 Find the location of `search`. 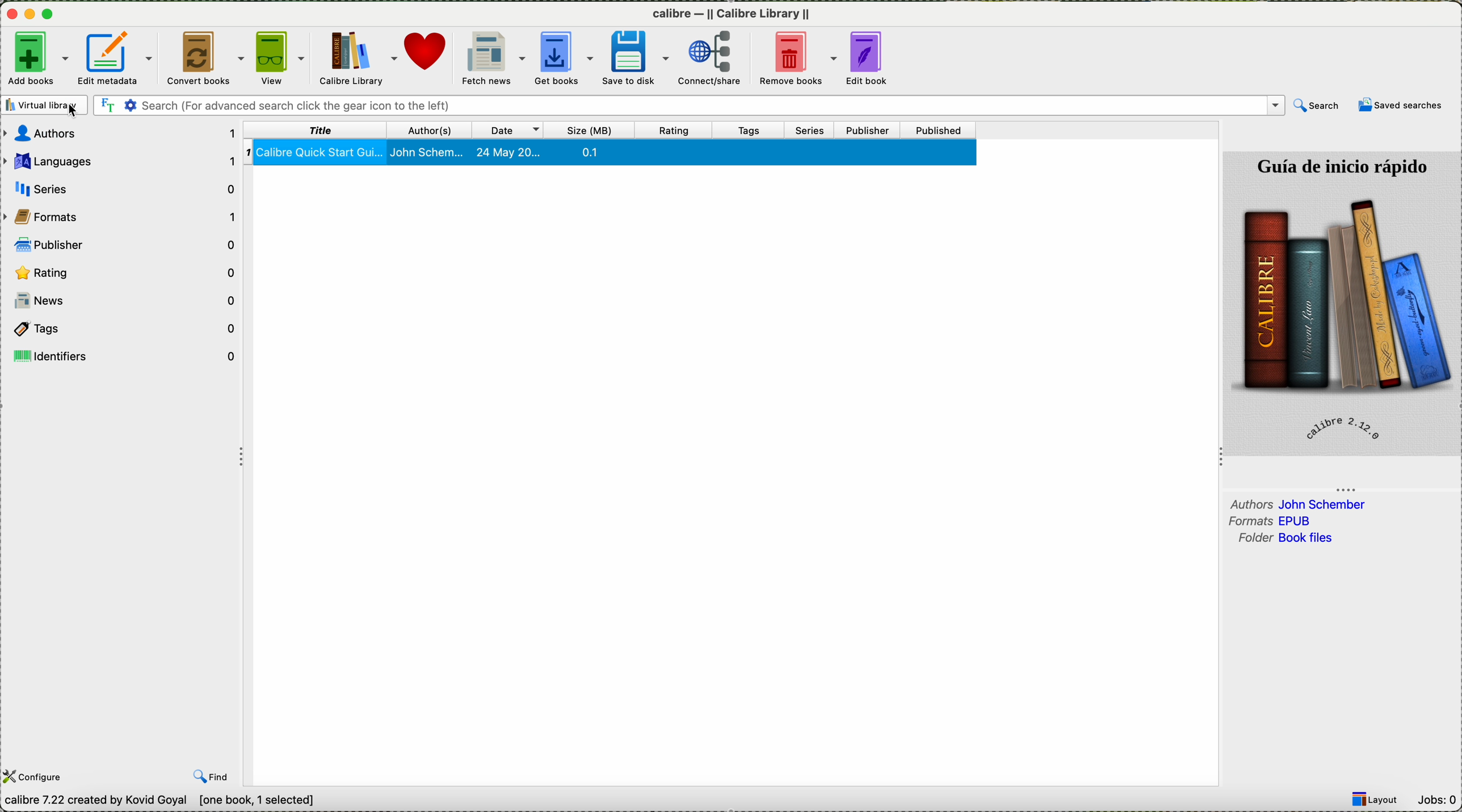

search is located at coordinates (687, 106).